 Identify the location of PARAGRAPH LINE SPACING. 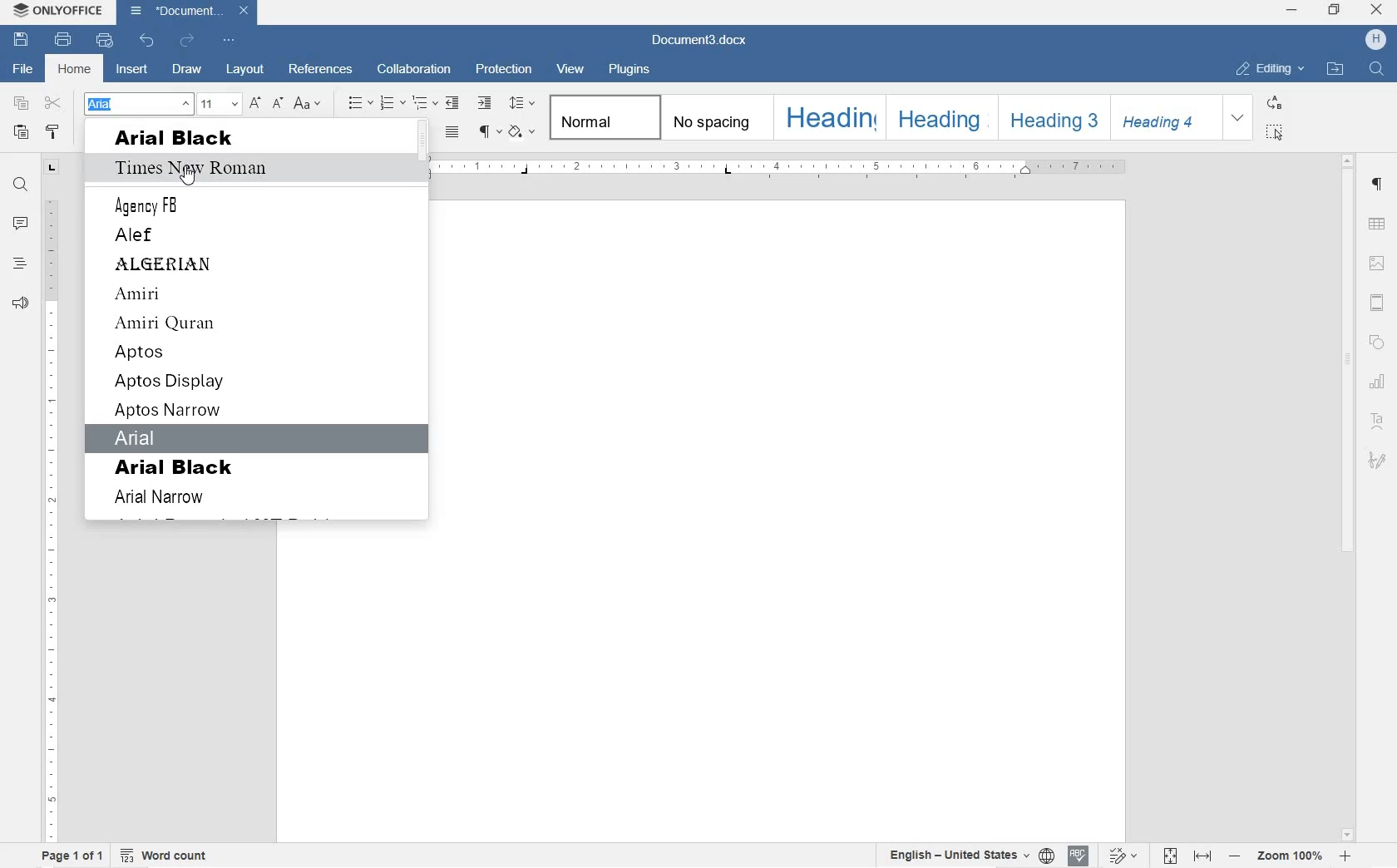
(522, 101).